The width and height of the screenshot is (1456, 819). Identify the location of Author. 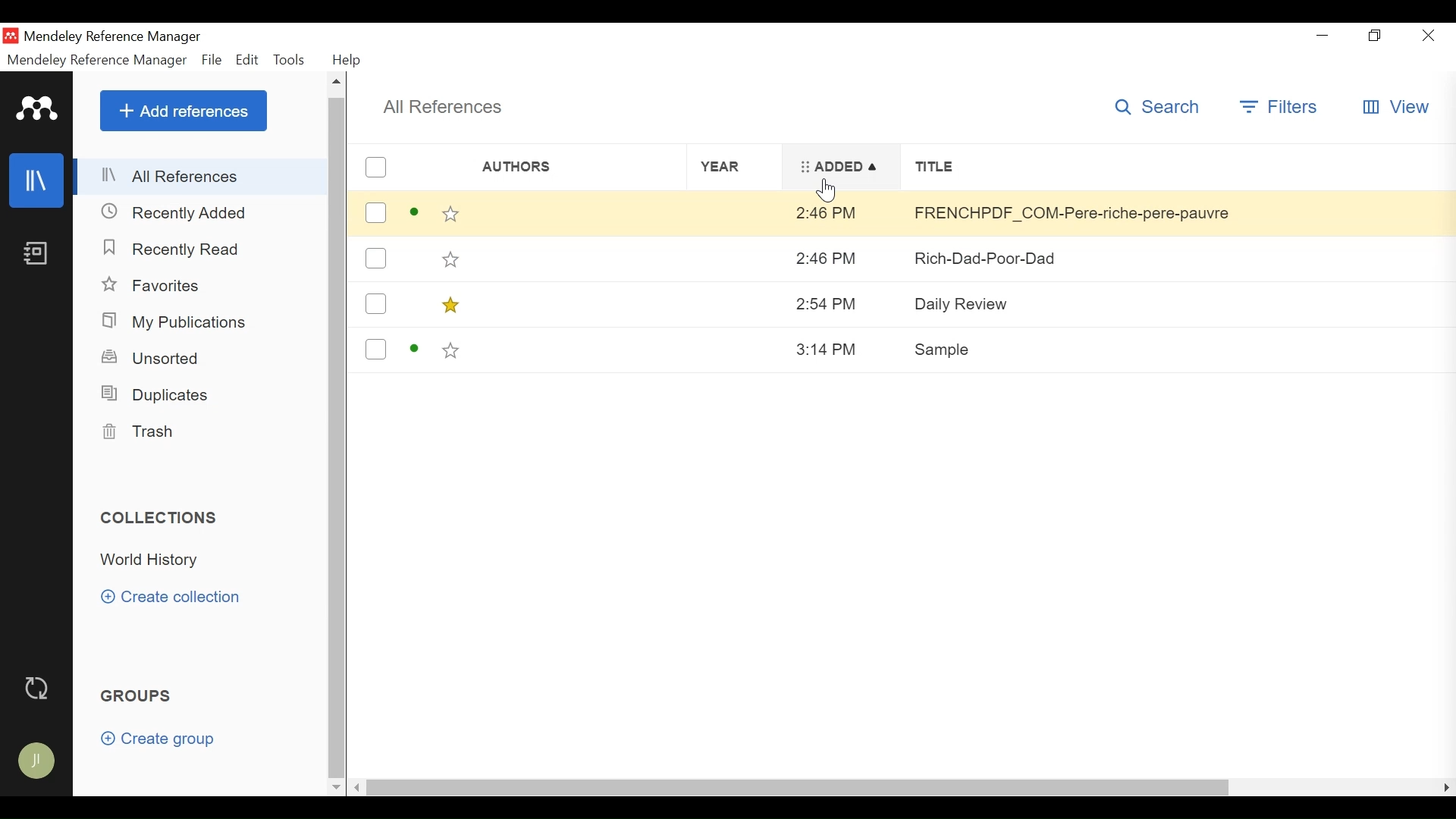
(554, 167).